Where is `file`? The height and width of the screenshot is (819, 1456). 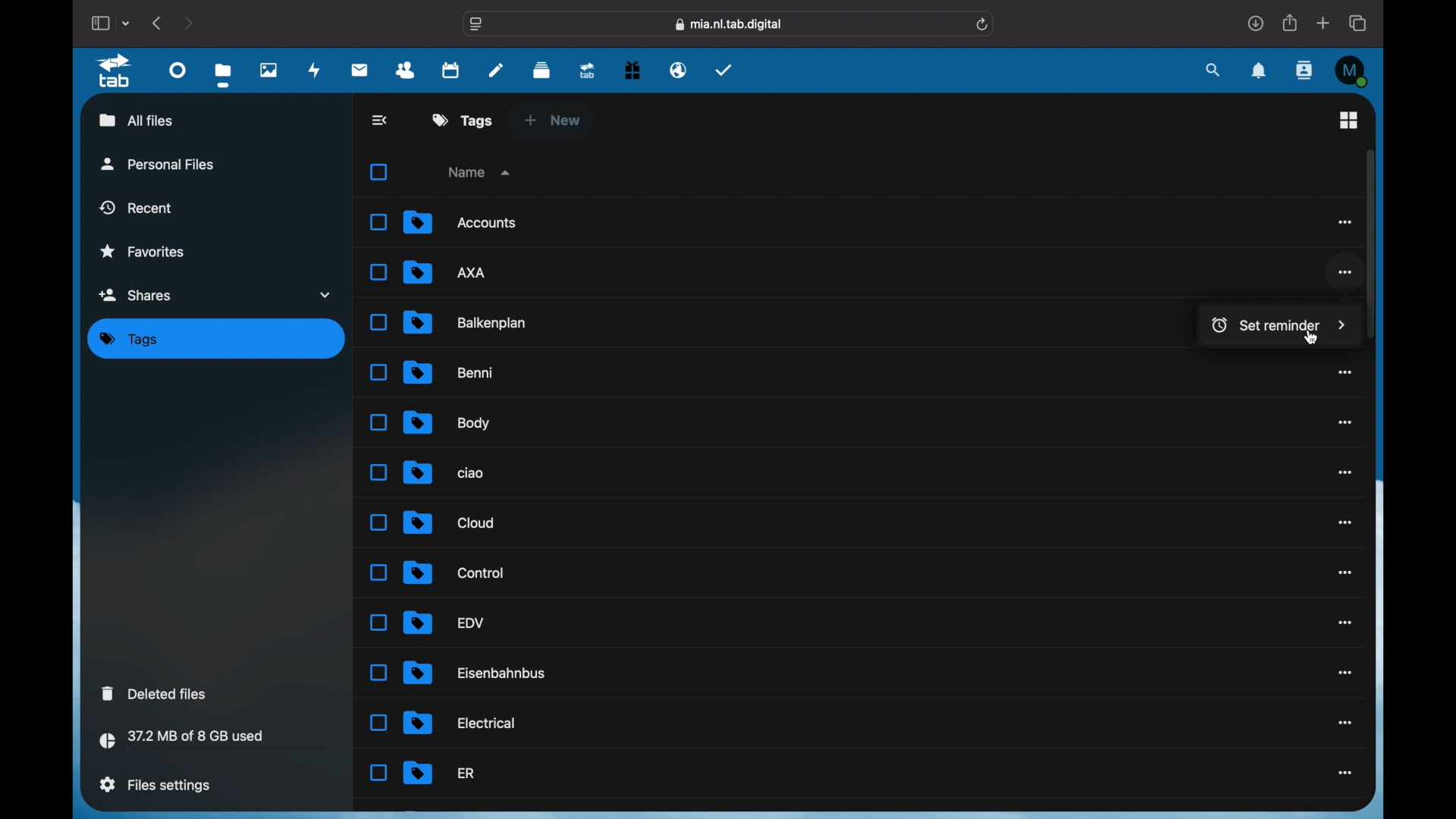
file is located at coordinates (449, 522).